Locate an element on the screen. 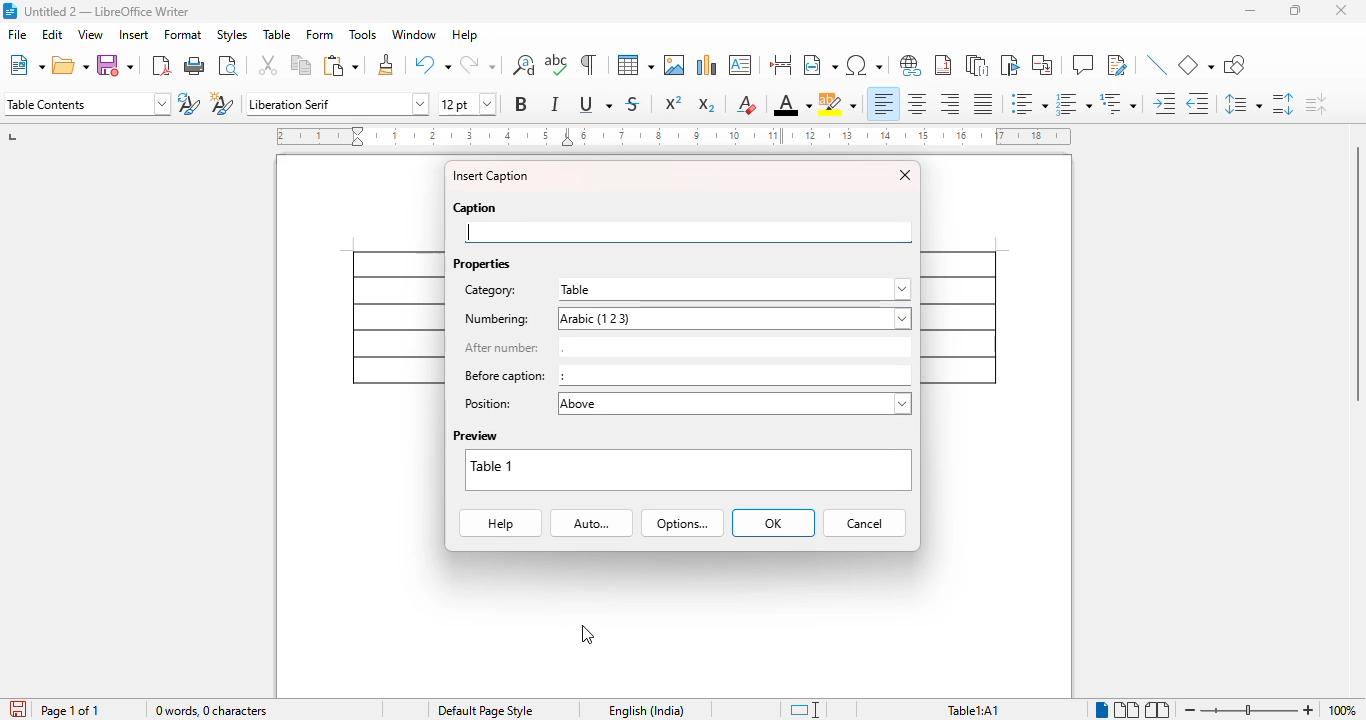 This screenshot has width=1366, height=720. basic shapes is located at coordinates (1195, 65).